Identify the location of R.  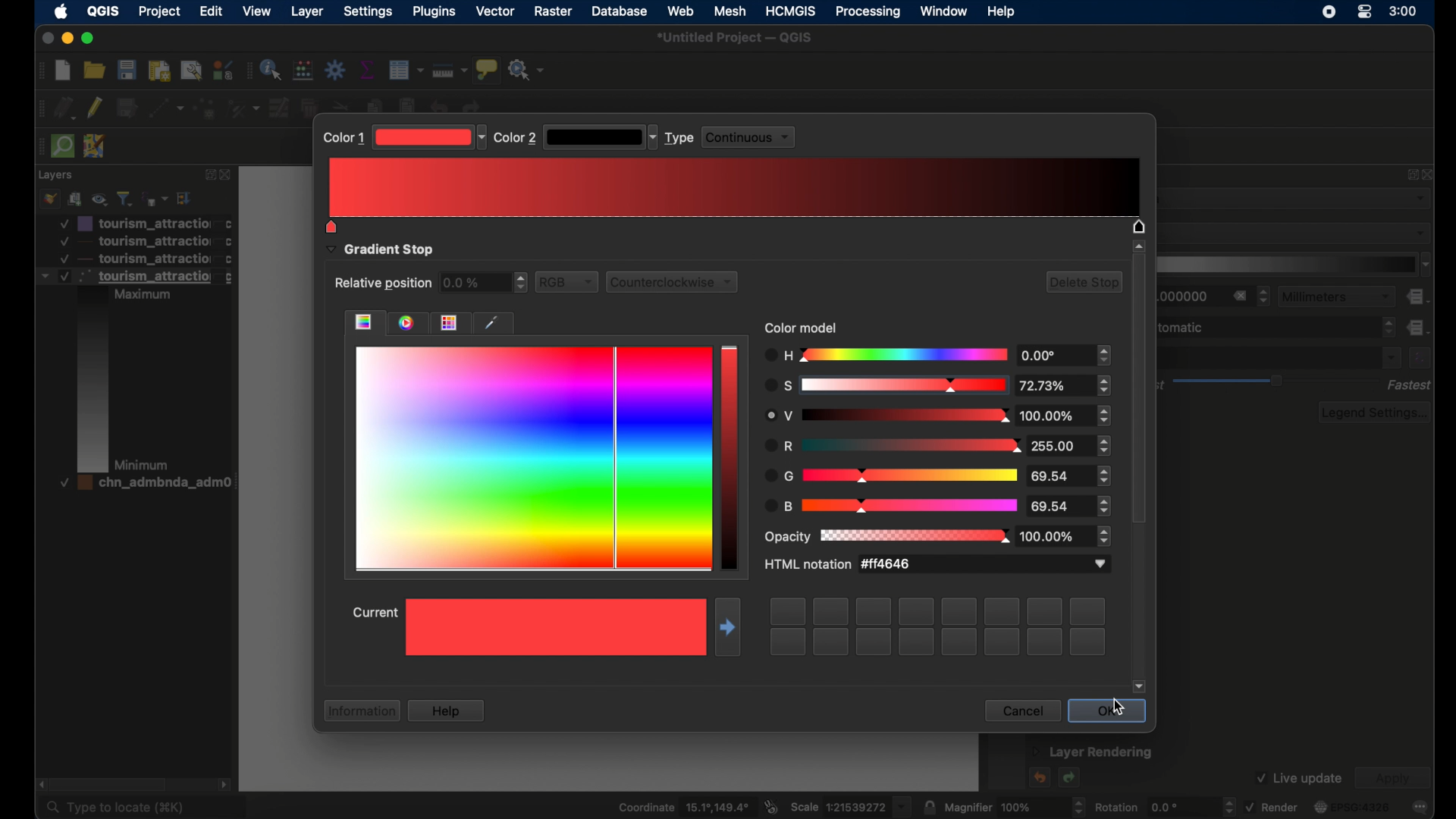
(776, 415).